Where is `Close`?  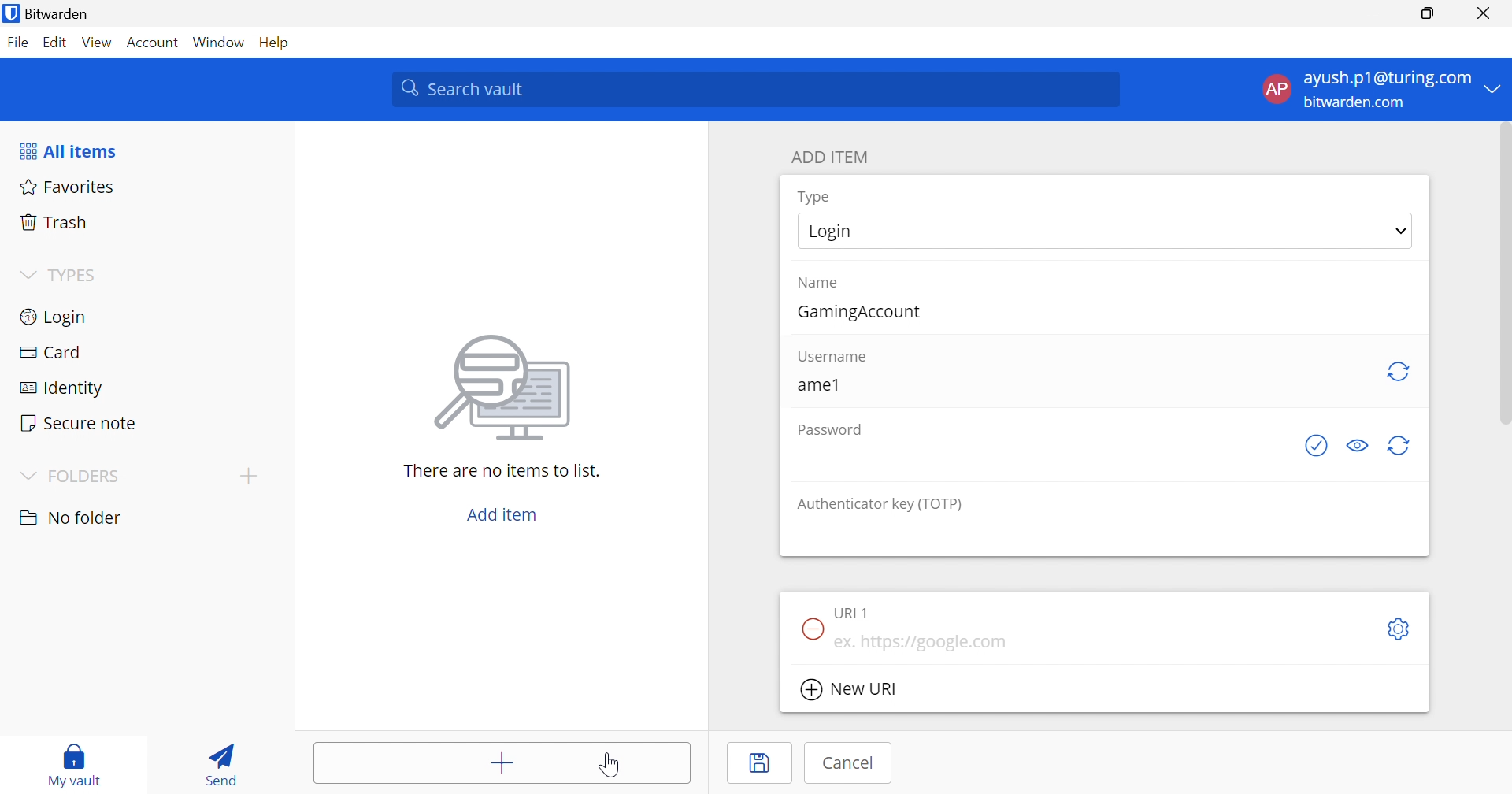 Close is located at coordinates (1486, 15).